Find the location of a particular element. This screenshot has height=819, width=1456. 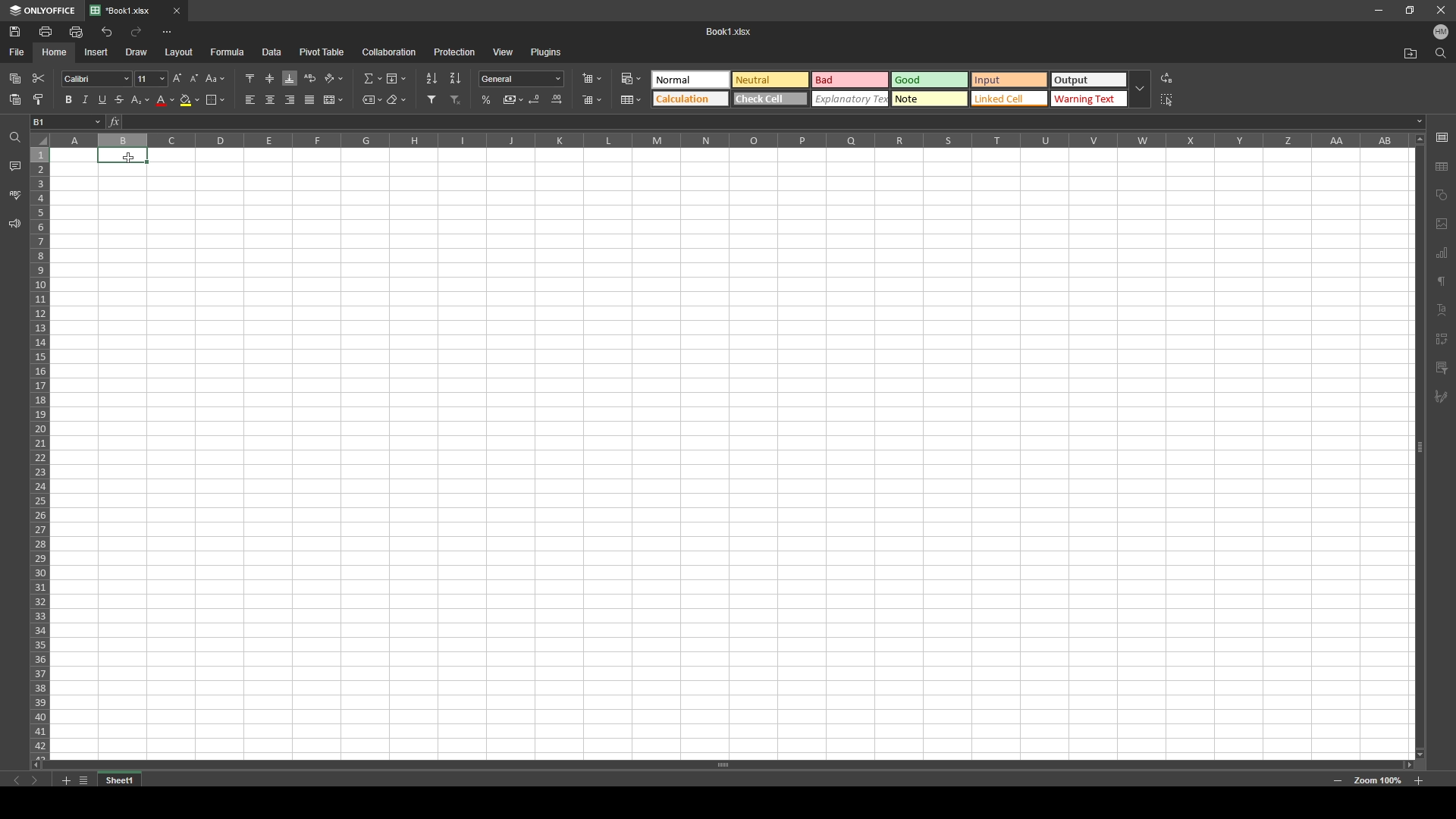

save is located at coordinates (14, 31).